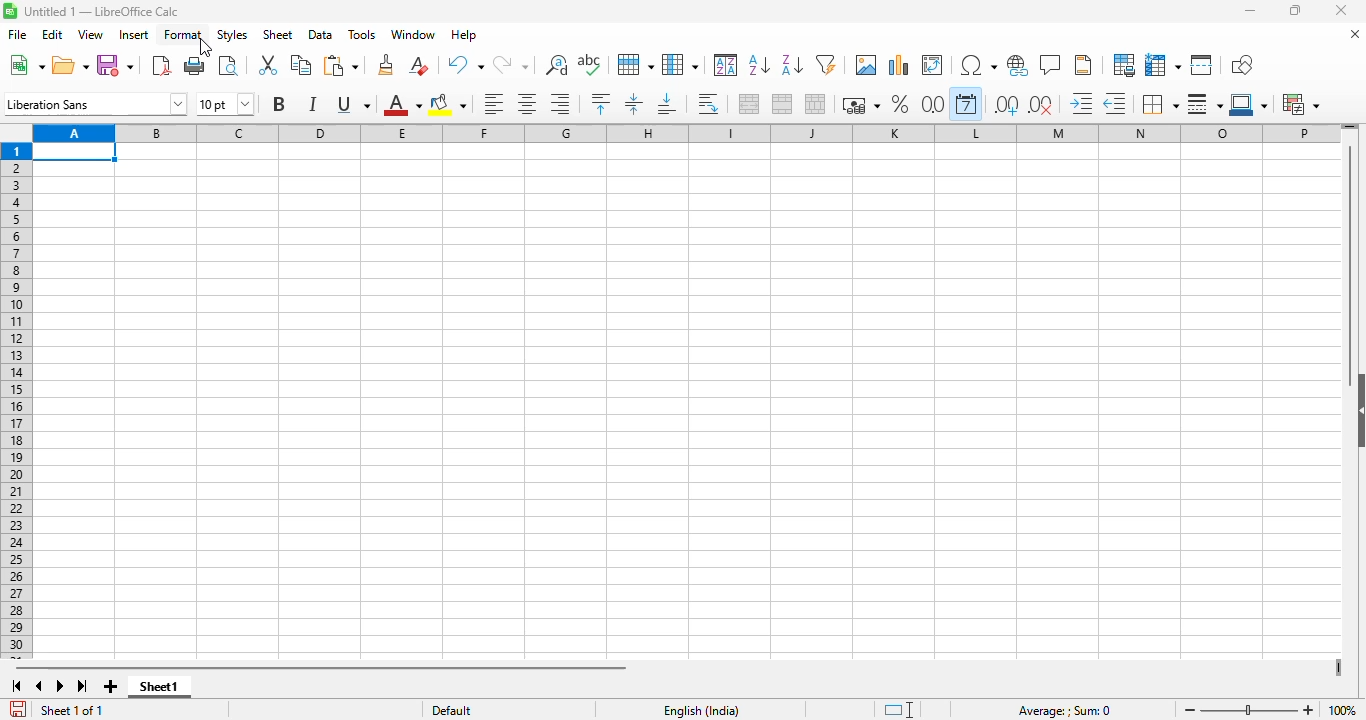 The height and width of the screenshot is (720, 1366). Describe the element at coordinates (1124, 65) in the screenshot. I see `define print area` at that location.